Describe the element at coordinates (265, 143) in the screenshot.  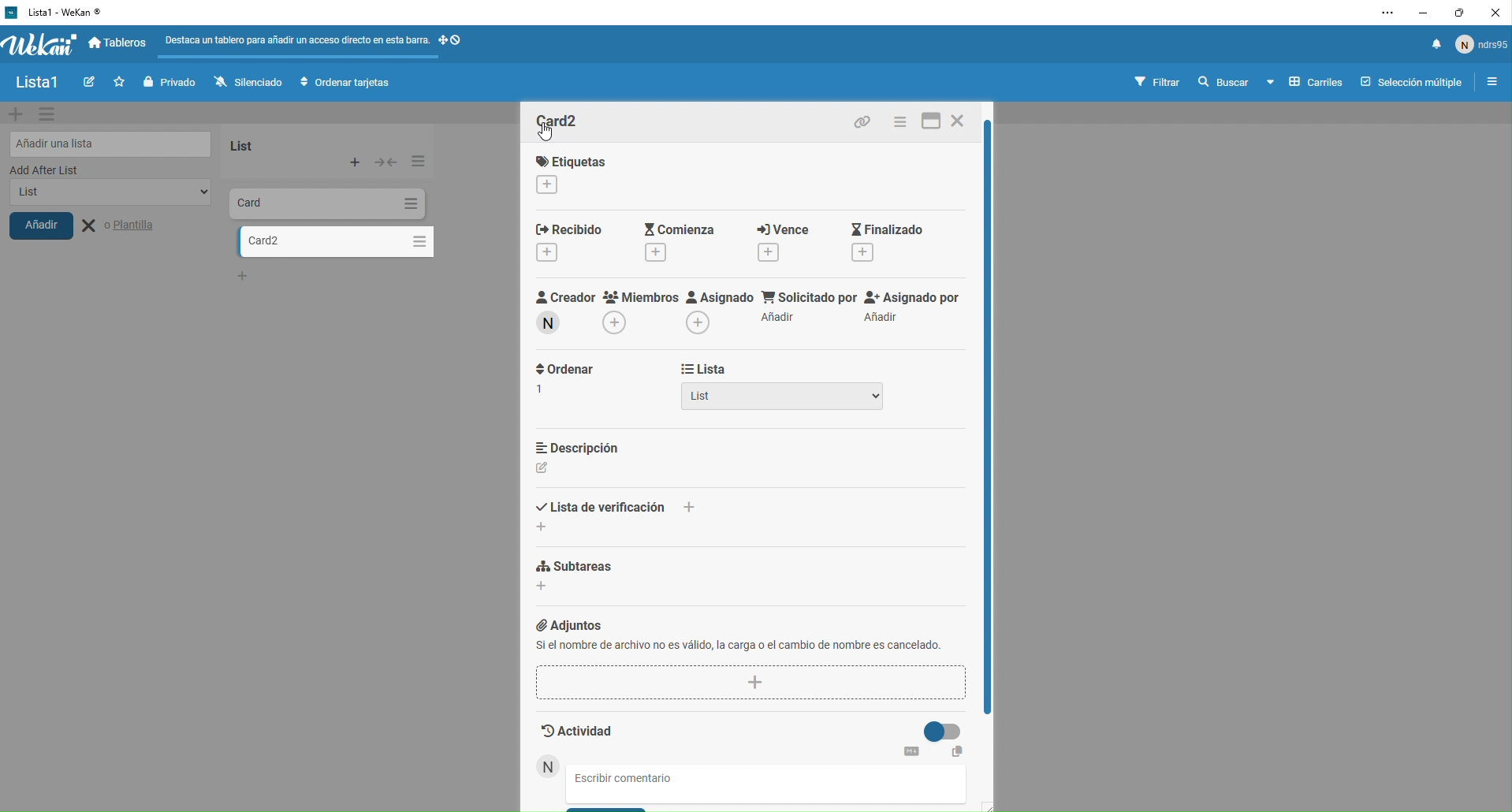
I see `list` at that location.